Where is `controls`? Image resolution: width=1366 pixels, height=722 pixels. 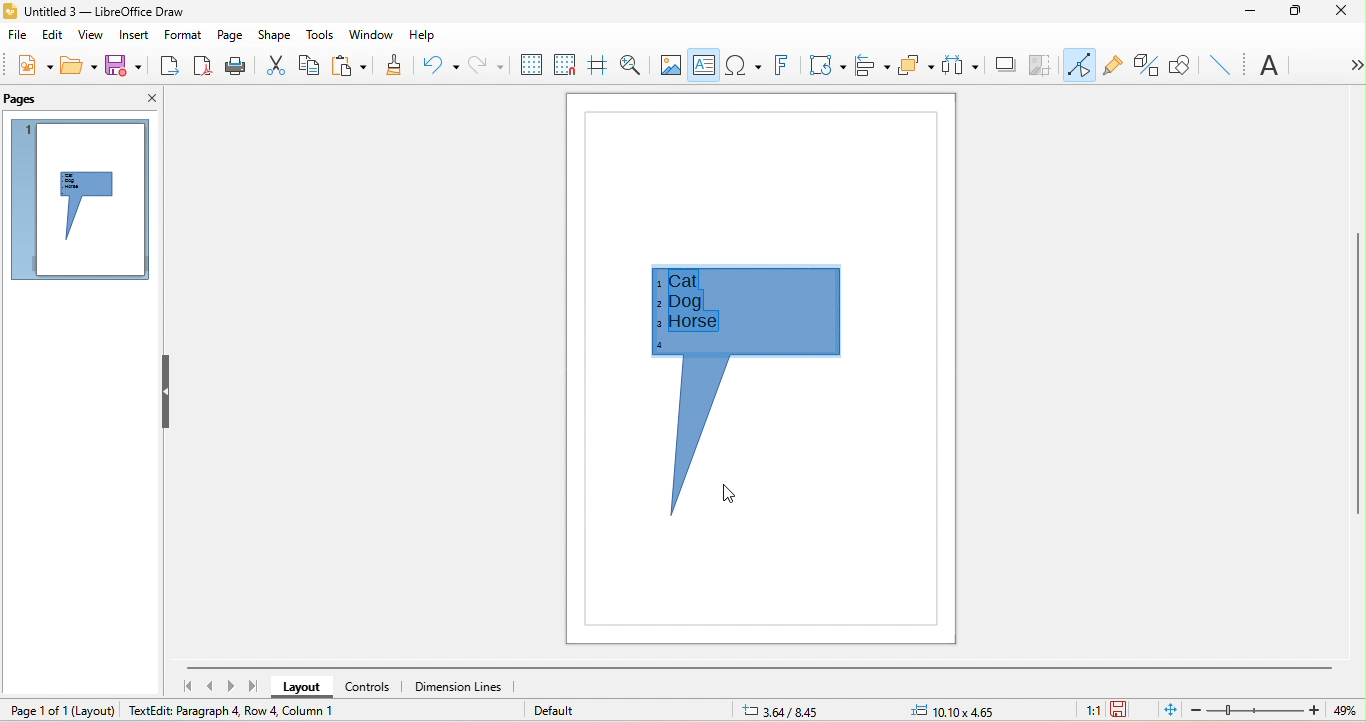 controls is located at coordinates (368, 686).